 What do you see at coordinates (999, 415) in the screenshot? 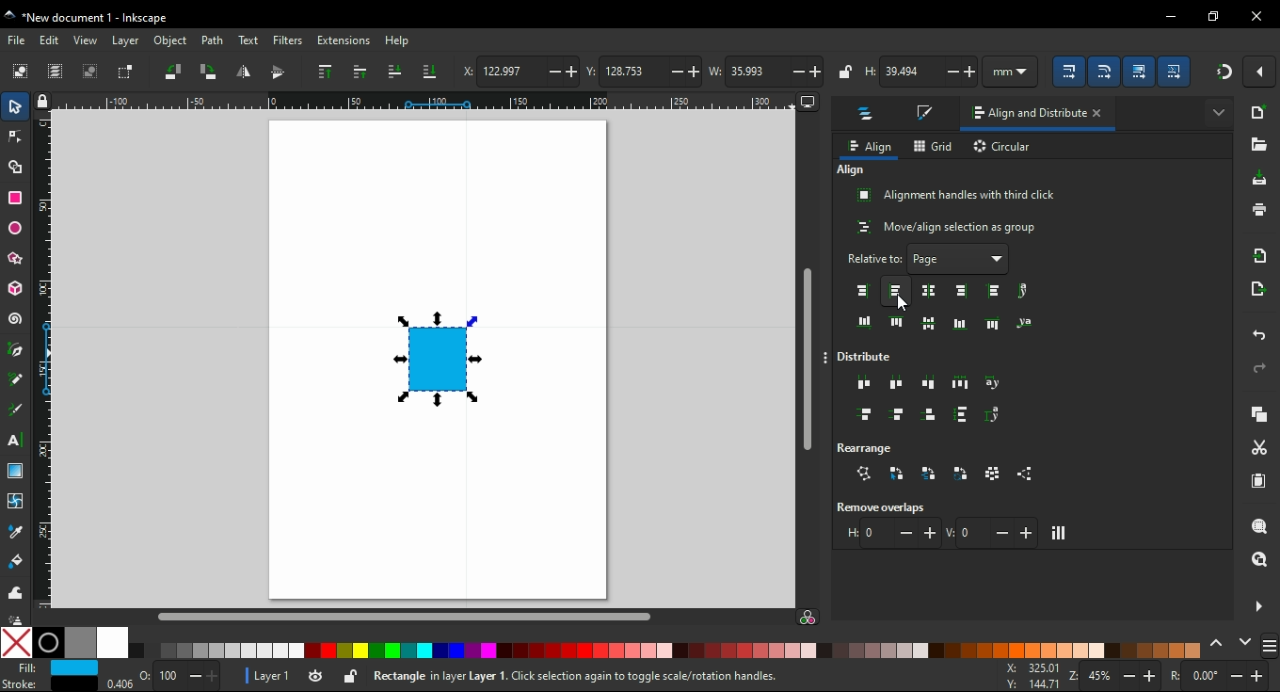
I see `distribute anchors vertically ` at bounding box center [999, 415].